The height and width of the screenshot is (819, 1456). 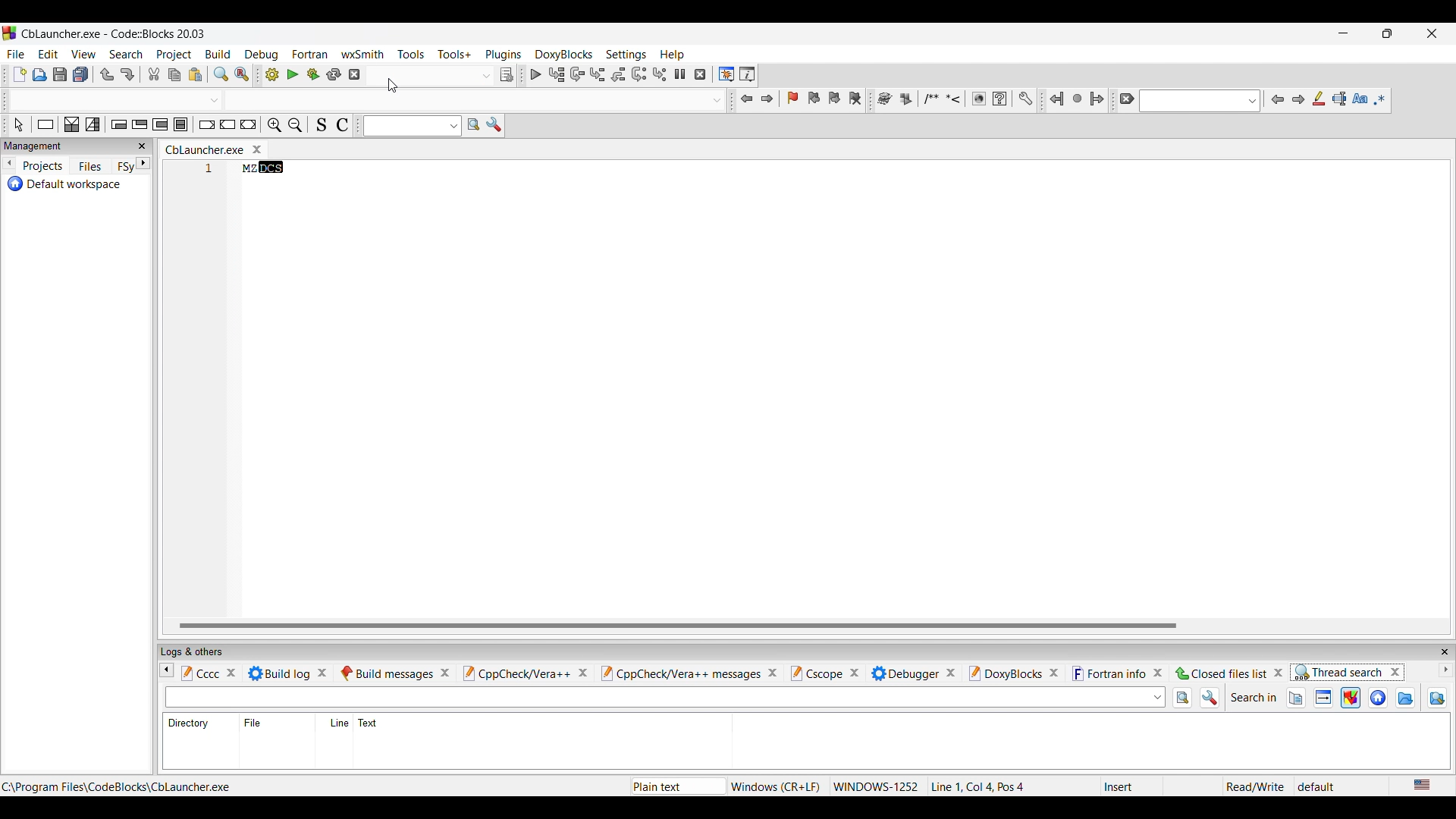 I want to click on Fortran menu, so click(x=310, y=55).